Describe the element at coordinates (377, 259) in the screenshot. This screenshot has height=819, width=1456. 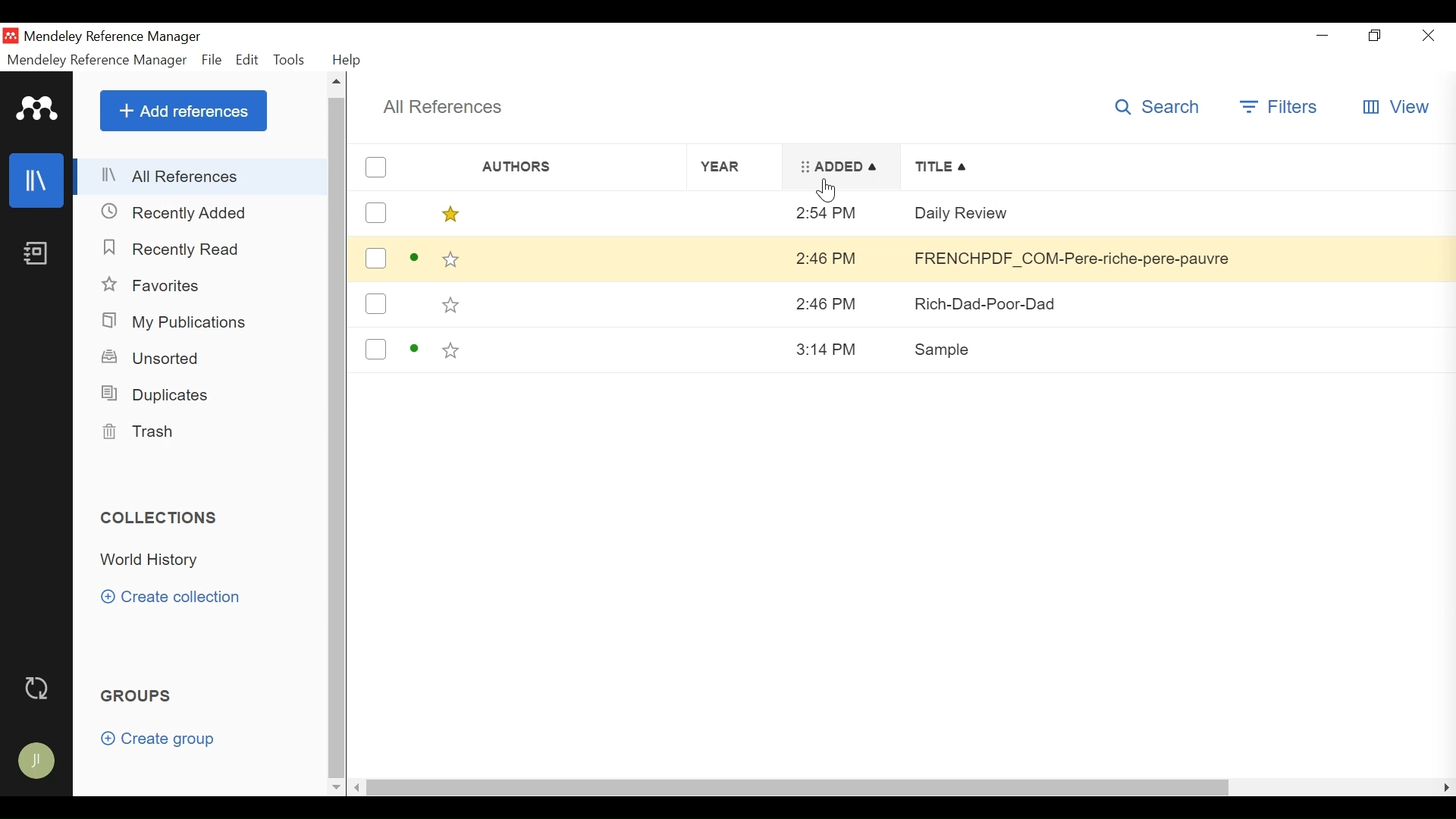
I see `(un)select` at that location.